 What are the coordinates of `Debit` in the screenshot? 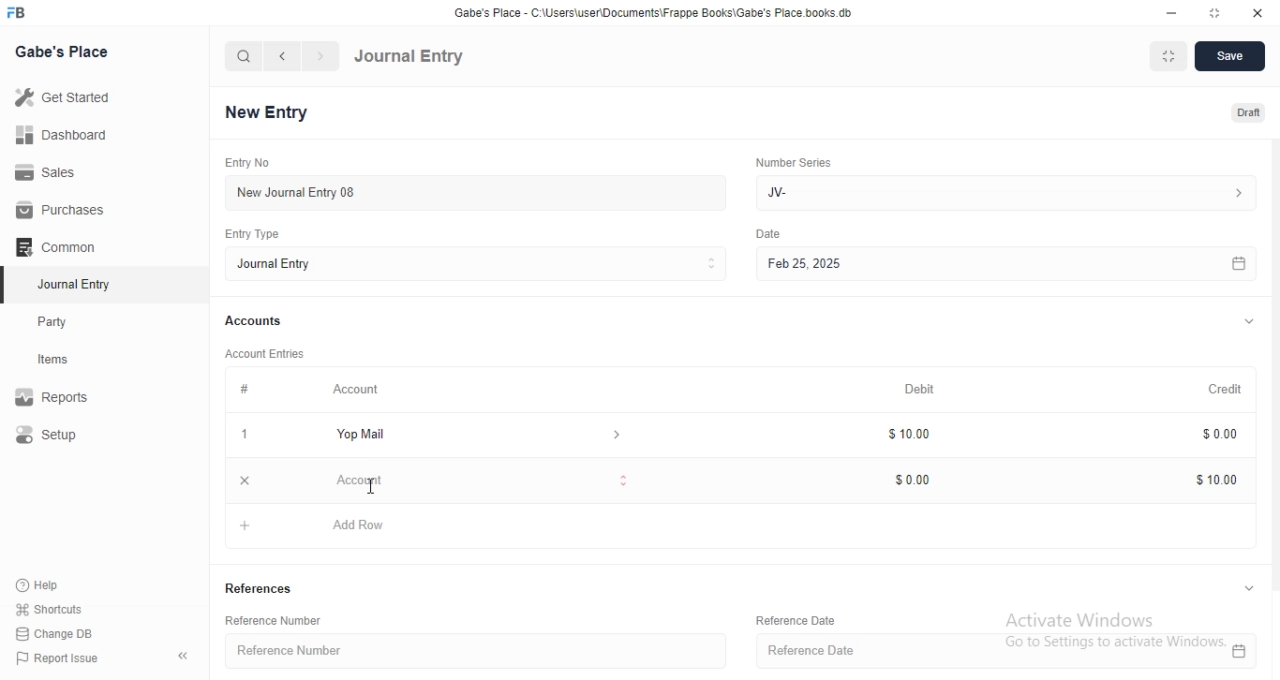 It's located at (919, 388).